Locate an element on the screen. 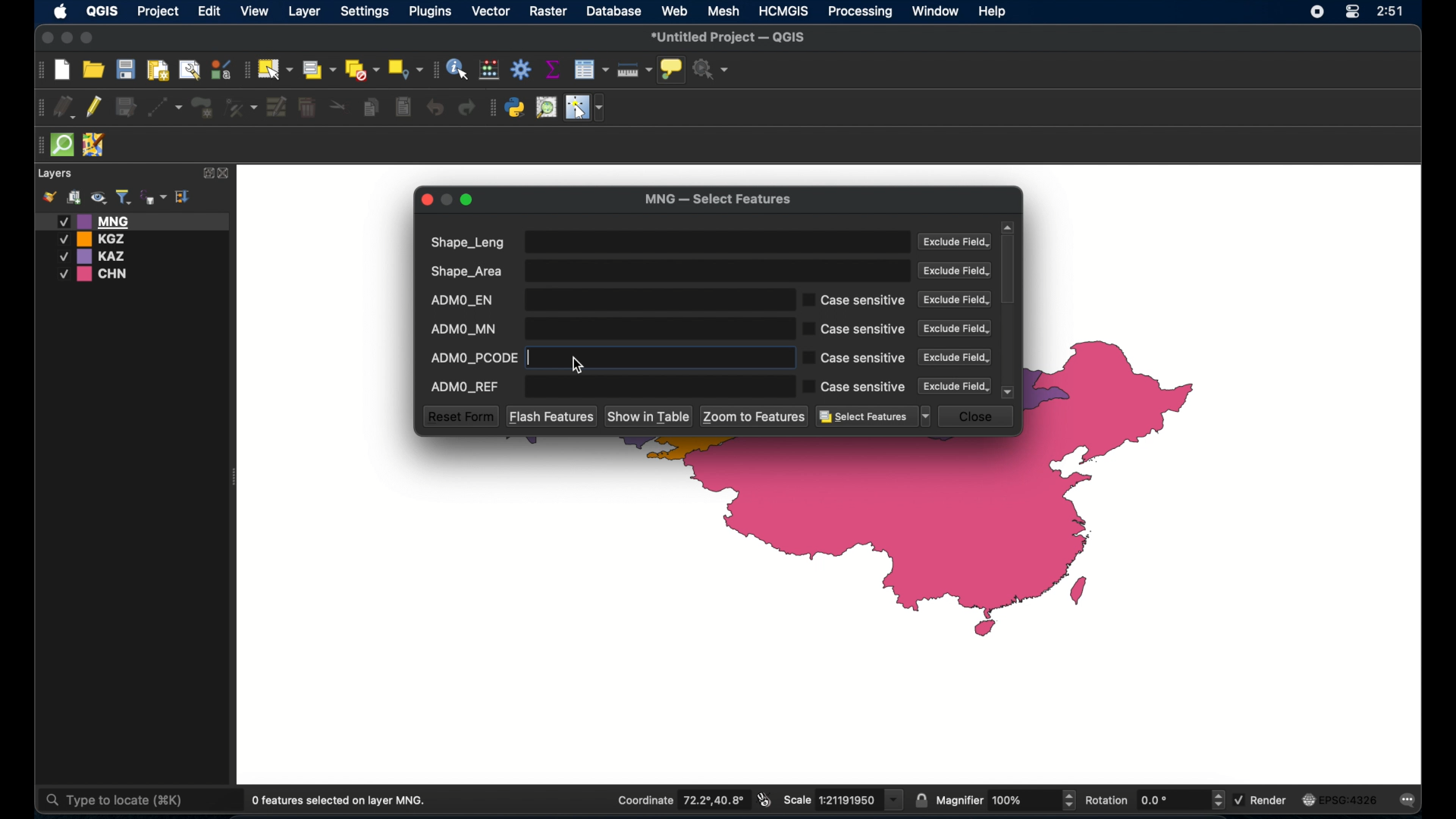 Image resolution: width=1456 pixels, height=819 pixels. modify attributes is located at coordinates (277, 108).